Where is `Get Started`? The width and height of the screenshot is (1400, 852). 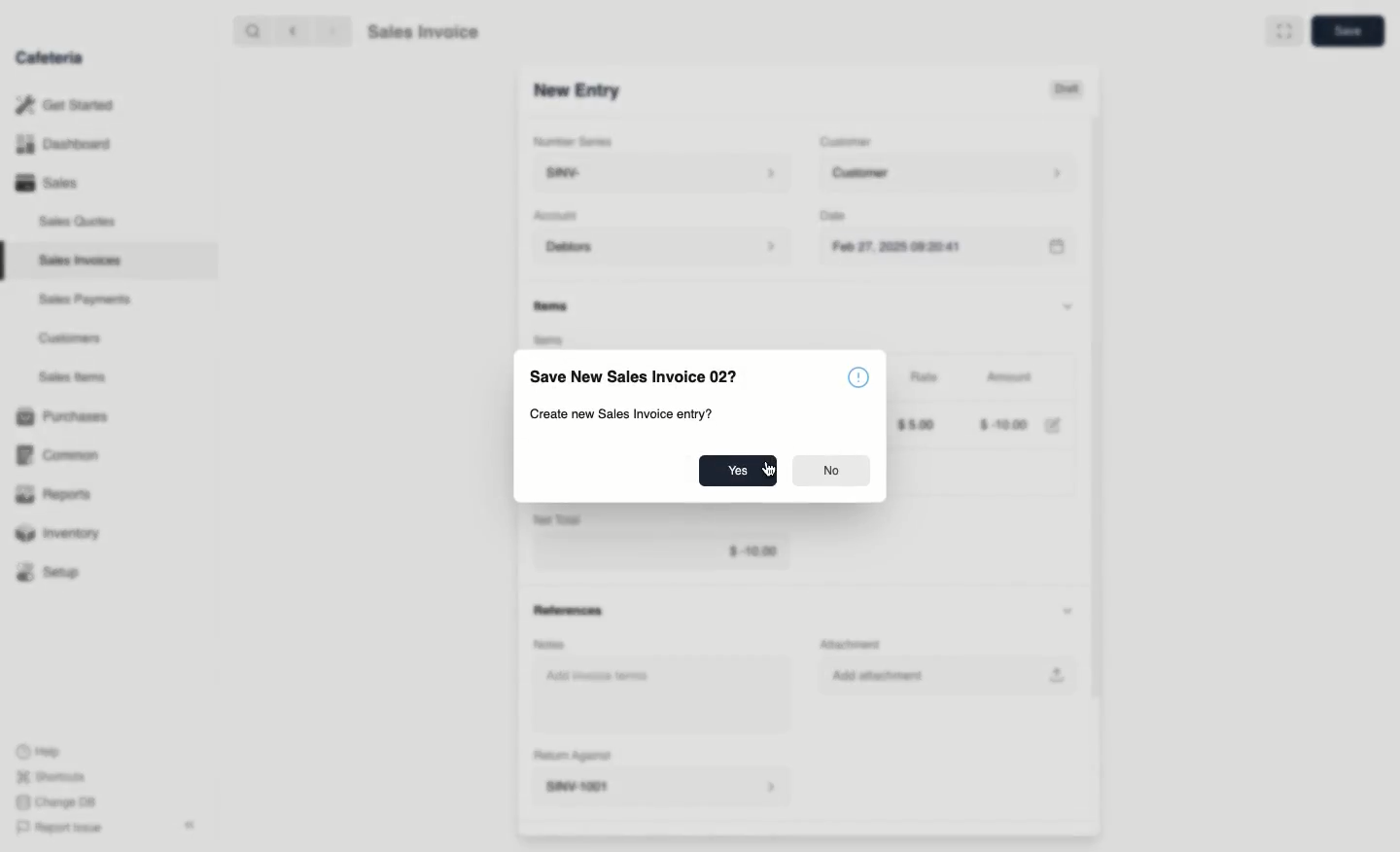
Get Started is located at coordinates (65, 104).